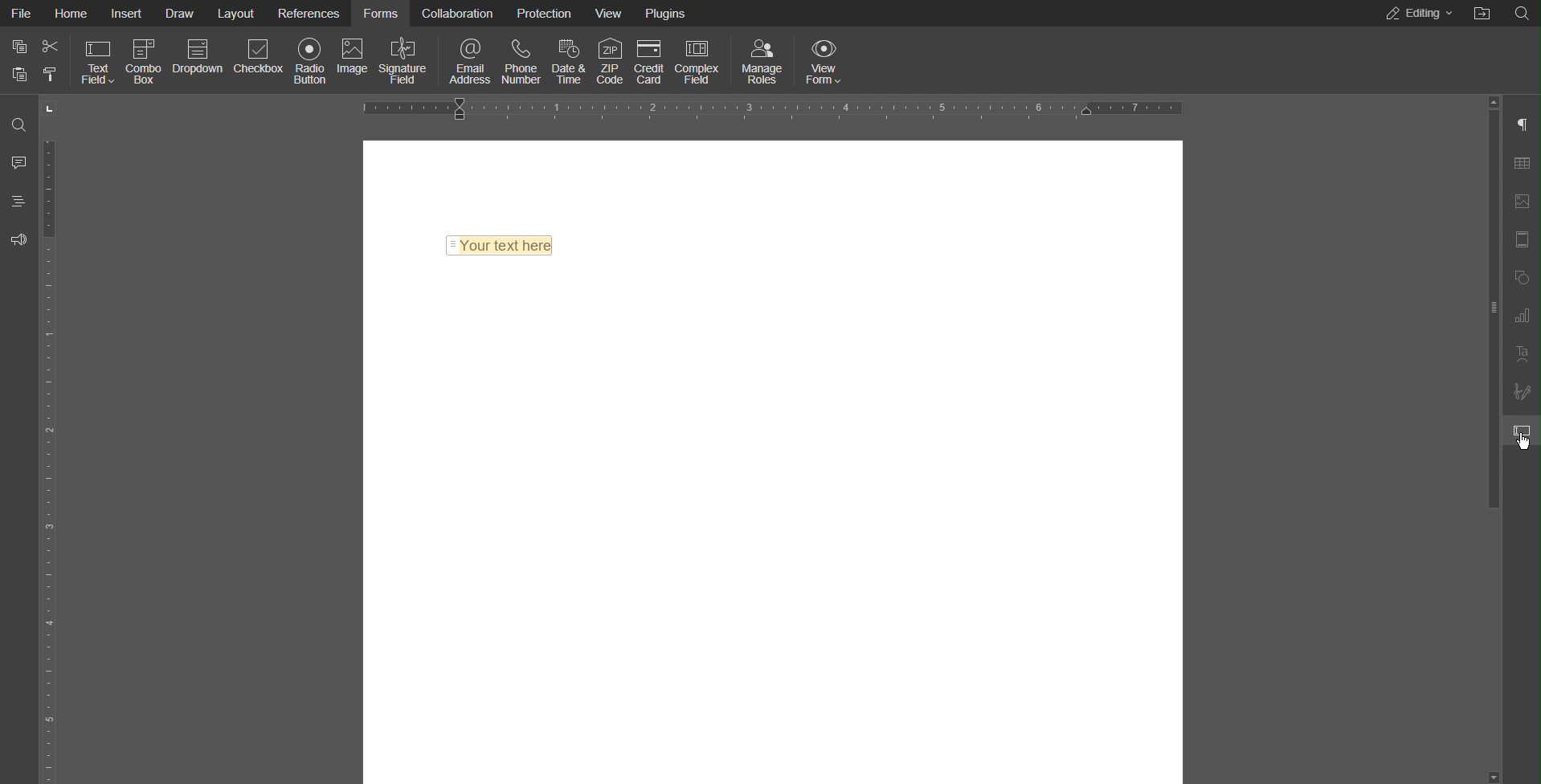 The image size is (1541, 784). Describe the element at coordinates (22, 13) in the screenshot. I see `File` at that location.